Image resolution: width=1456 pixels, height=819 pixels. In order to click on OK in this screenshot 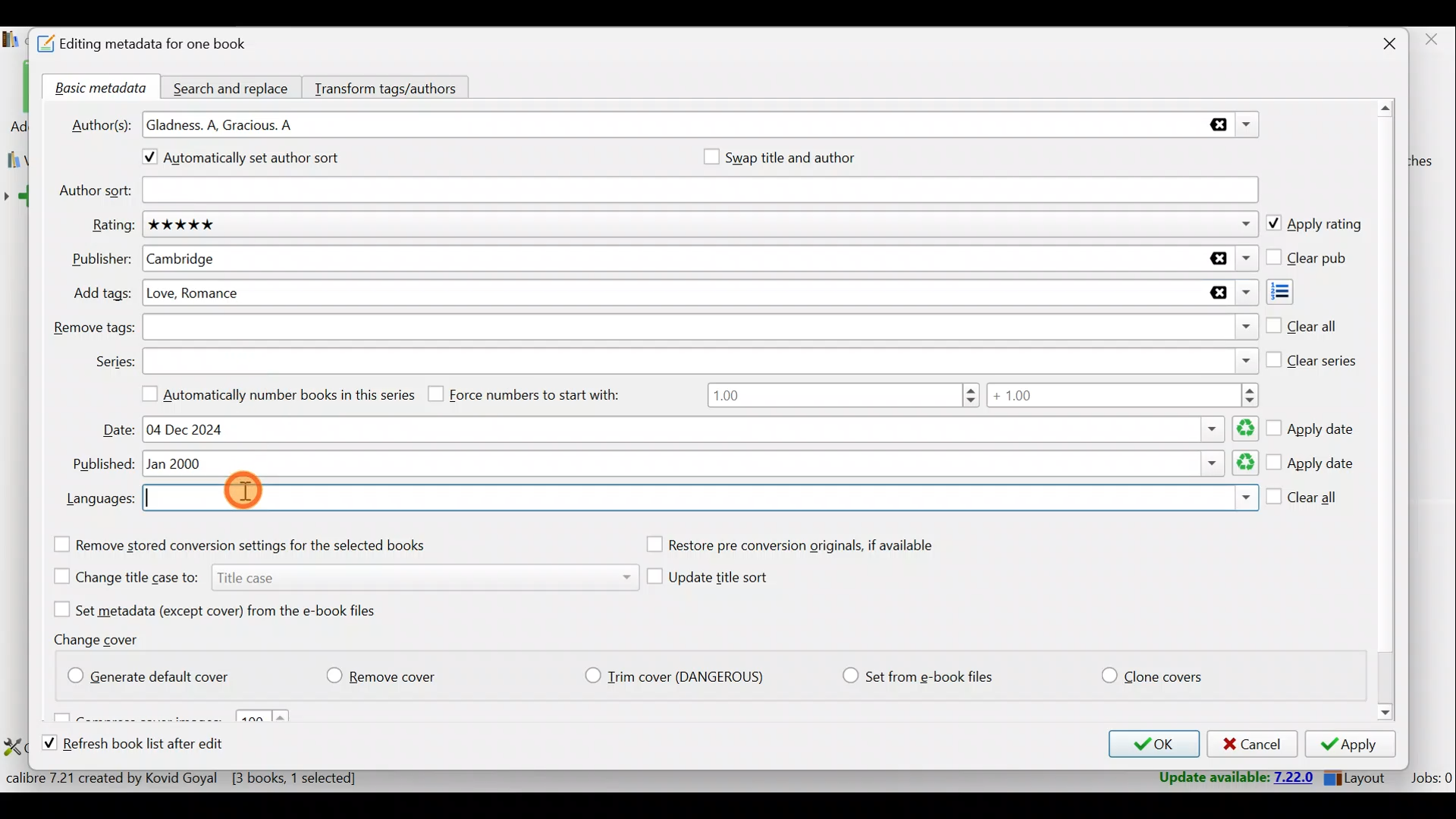, I will do `click(1150, 744)`.